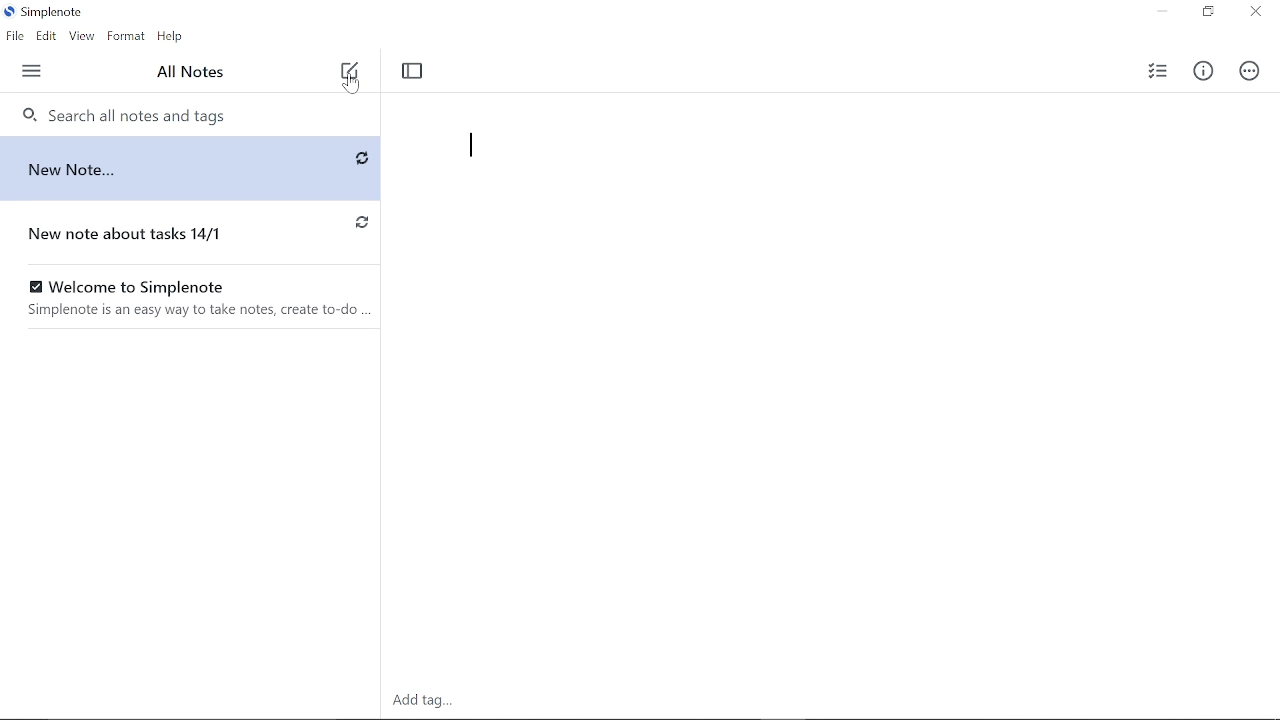  Describe the element at coordinates (810, 177) in the screenshot. I see `Typing` at that location.